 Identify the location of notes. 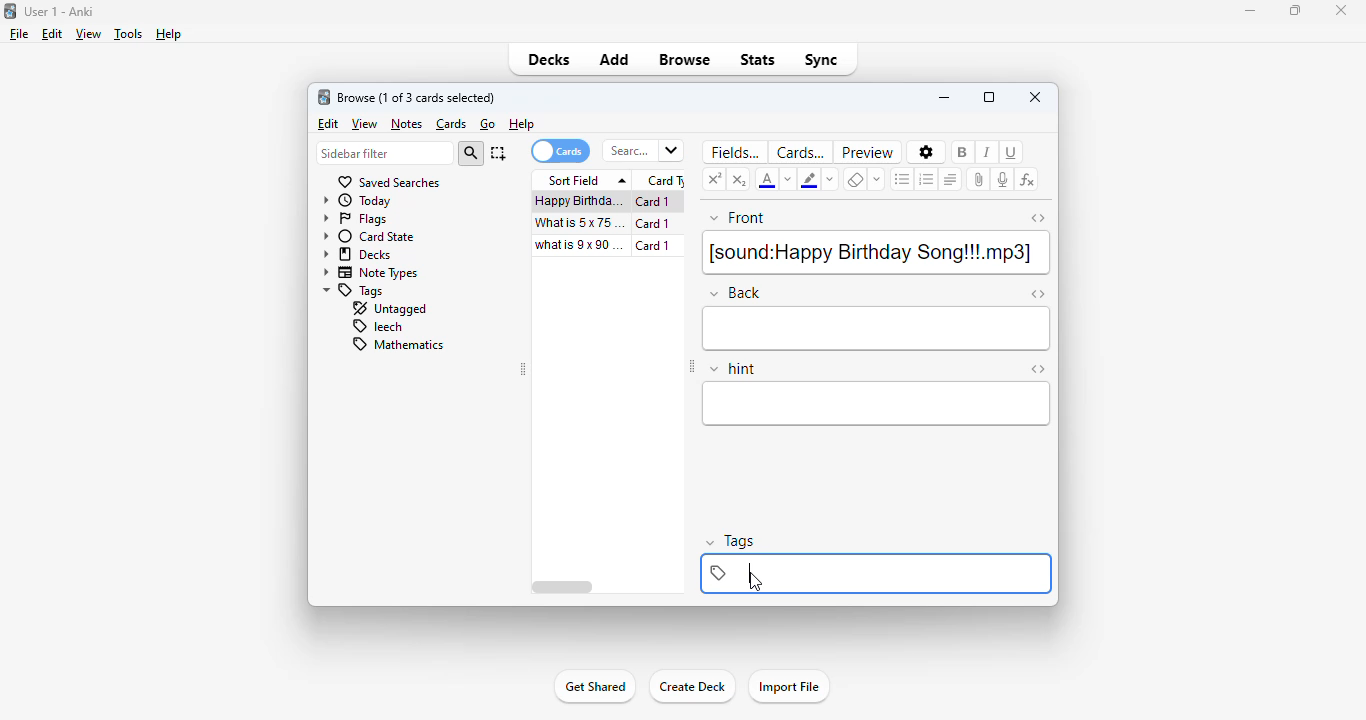
(406, 124).